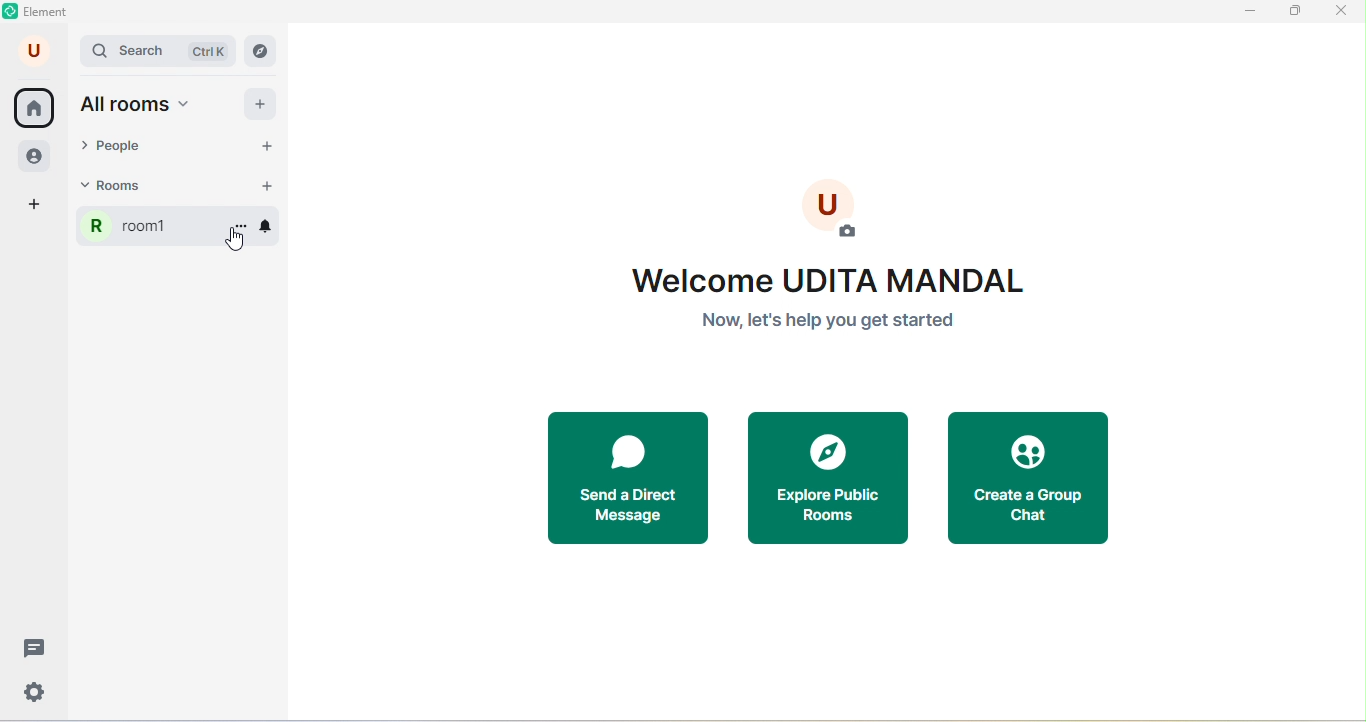  I want to click on send a direct message, so click(617, 476).